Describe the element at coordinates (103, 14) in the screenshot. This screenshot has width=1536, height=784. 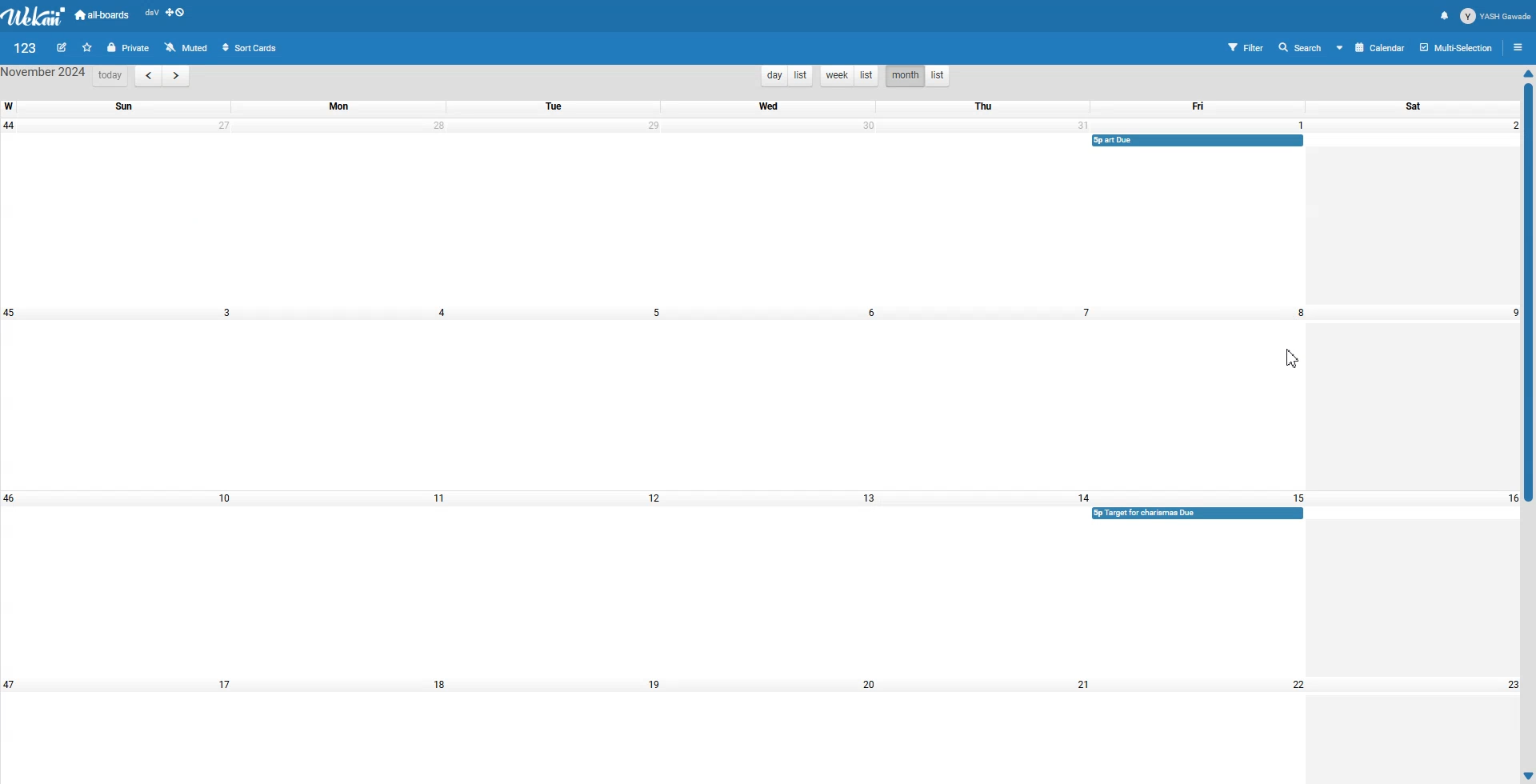
I see `All-boards` at that location.